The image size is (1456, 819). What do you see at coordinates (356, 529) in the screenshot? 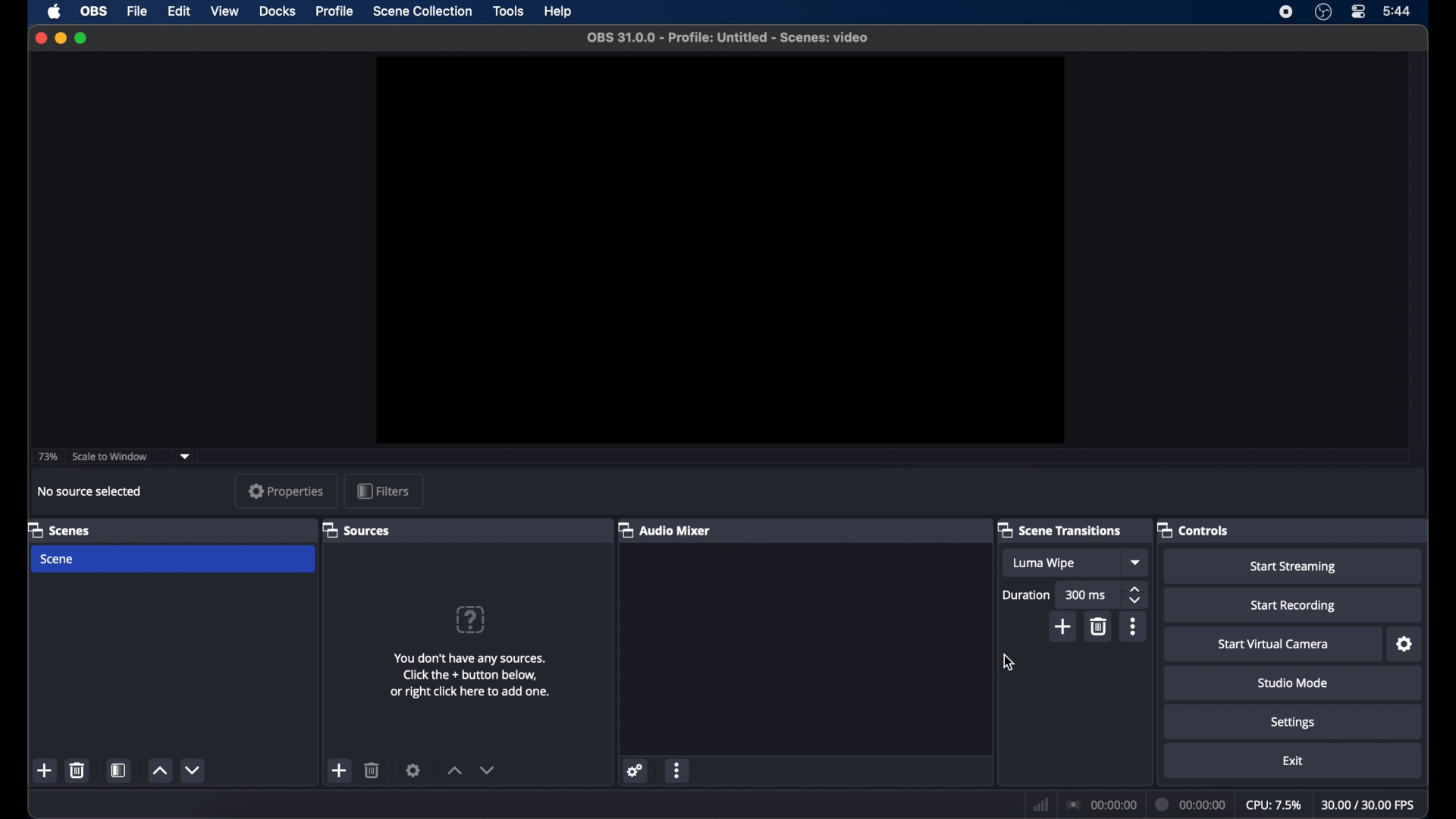
I see `sources` at bounding box center [356, 529].